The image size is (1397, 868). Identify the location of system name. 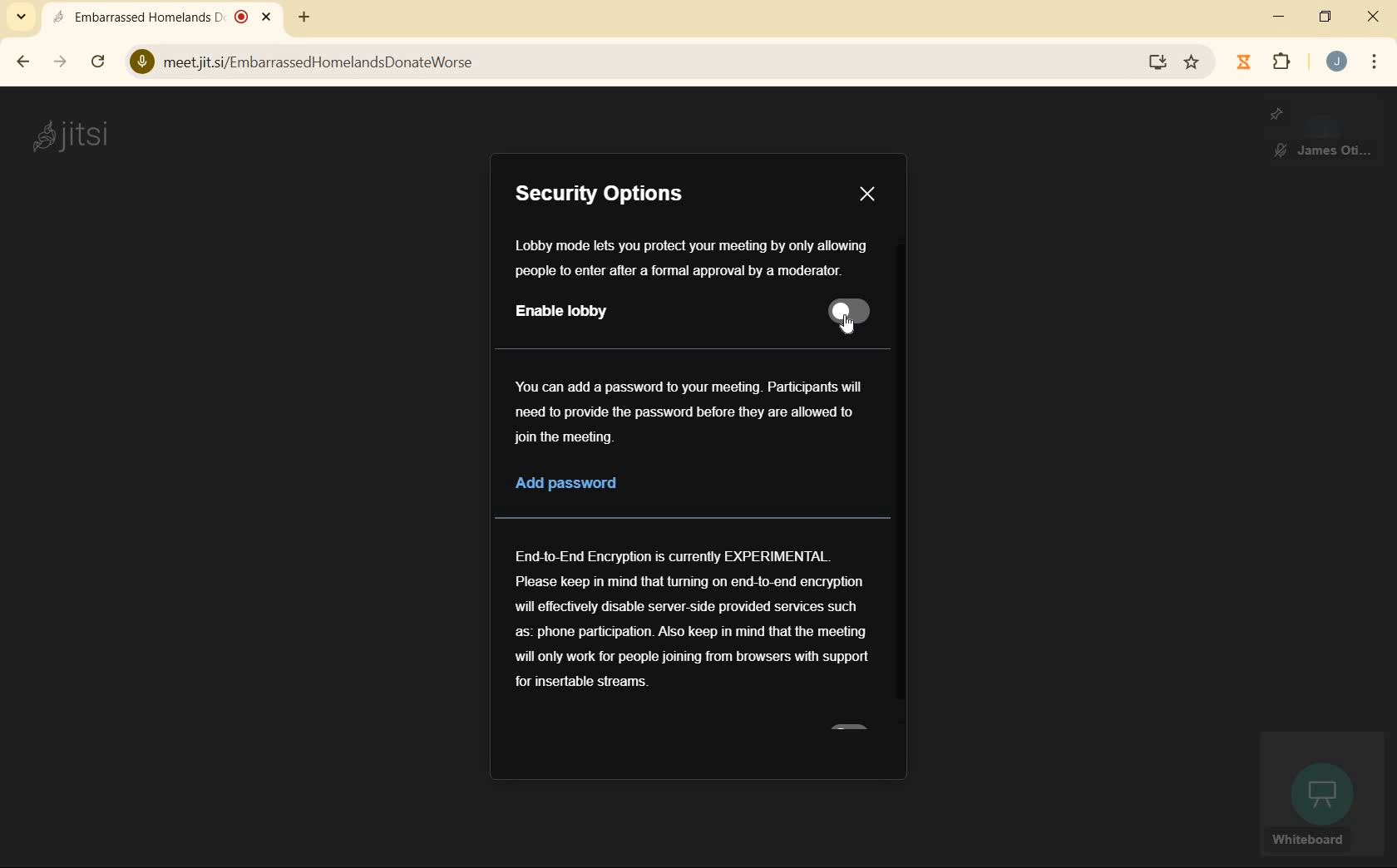
(71, 138).